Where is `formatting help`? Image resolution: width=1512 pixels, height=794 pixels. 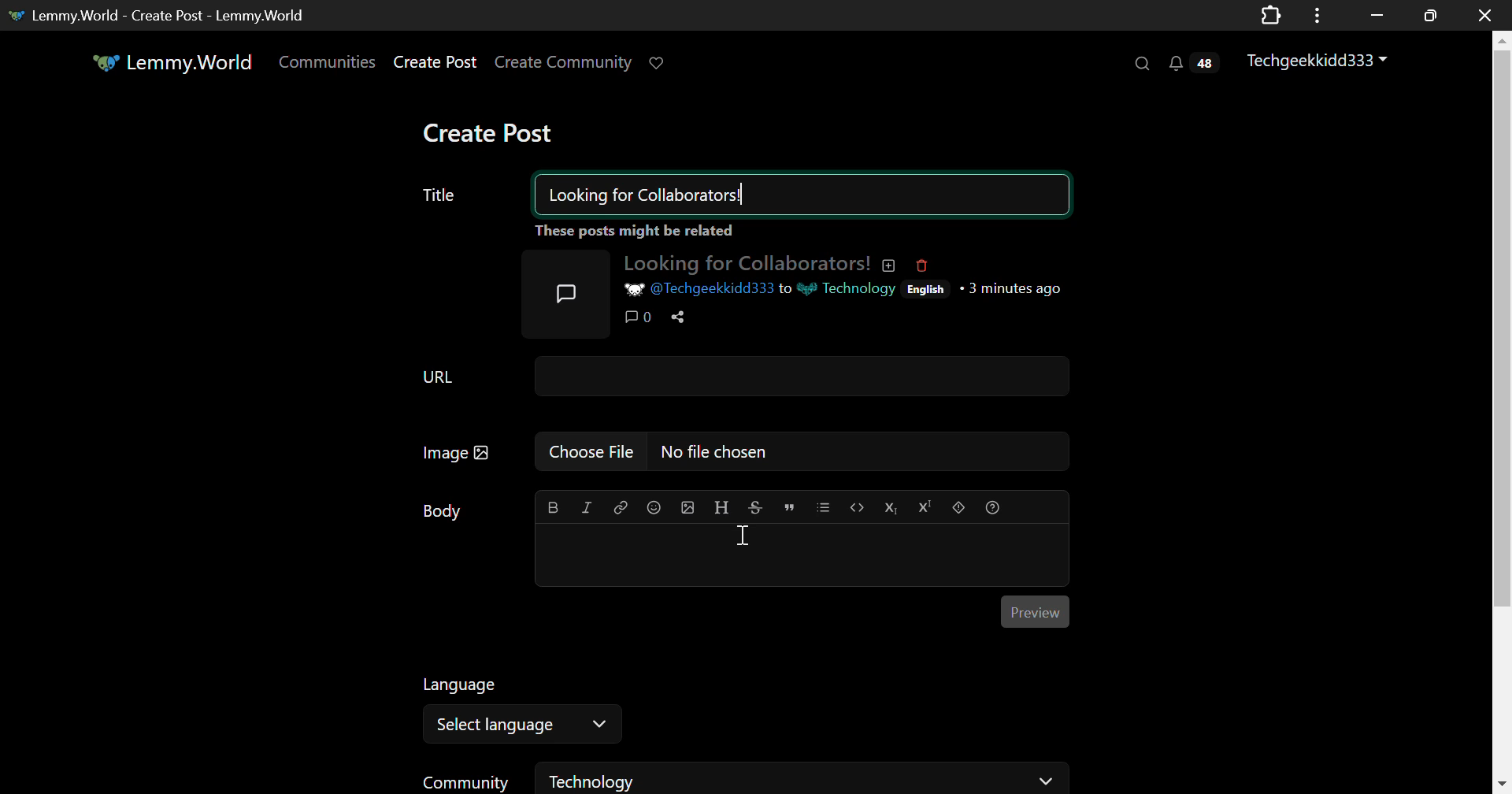 formatting help is located at coordinates (992, 508).